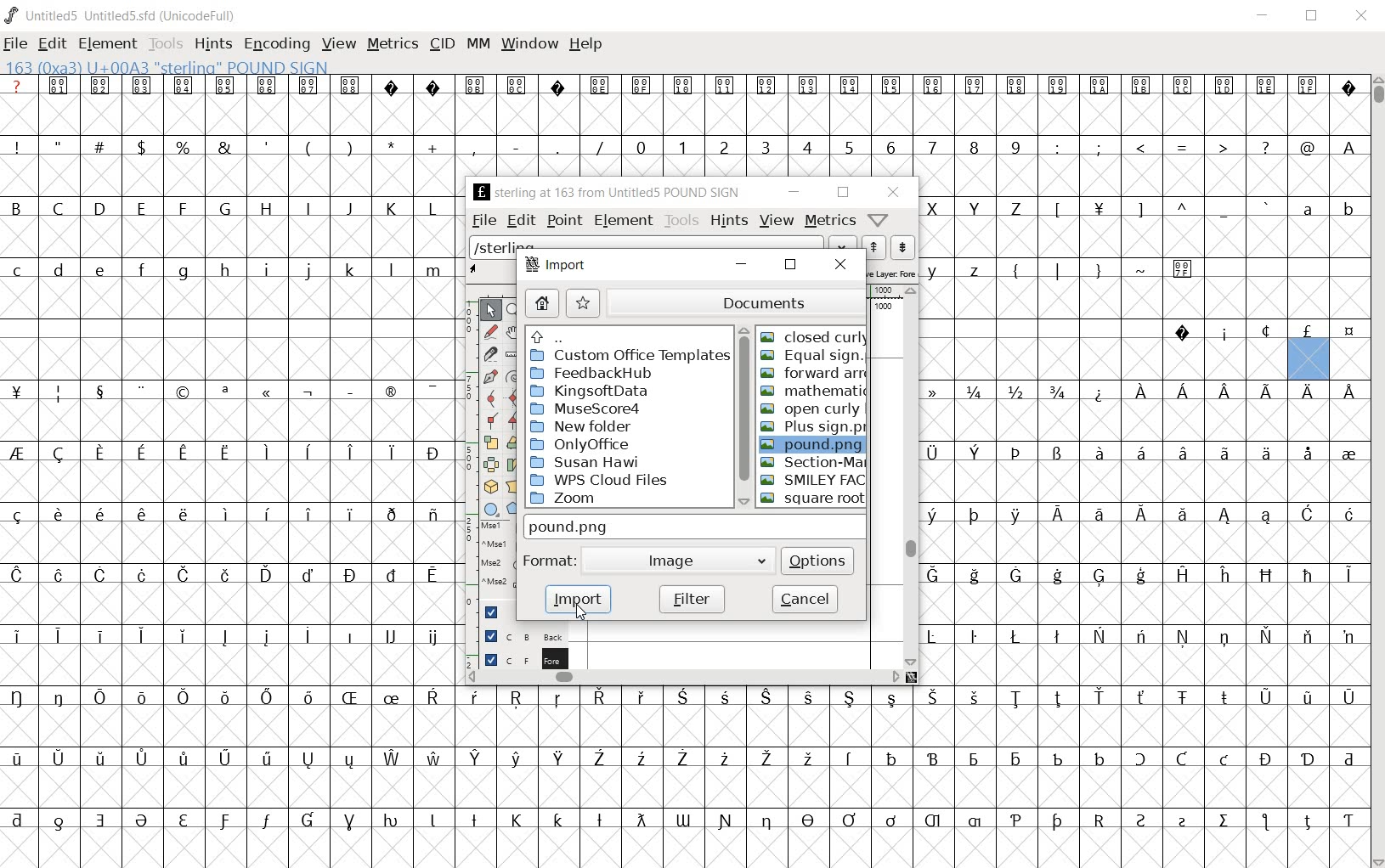 This screenshot has height=868, width=1385. Describe the element at coordinates (1180, 454) in the screenshot. I see `Symbol` at that location.